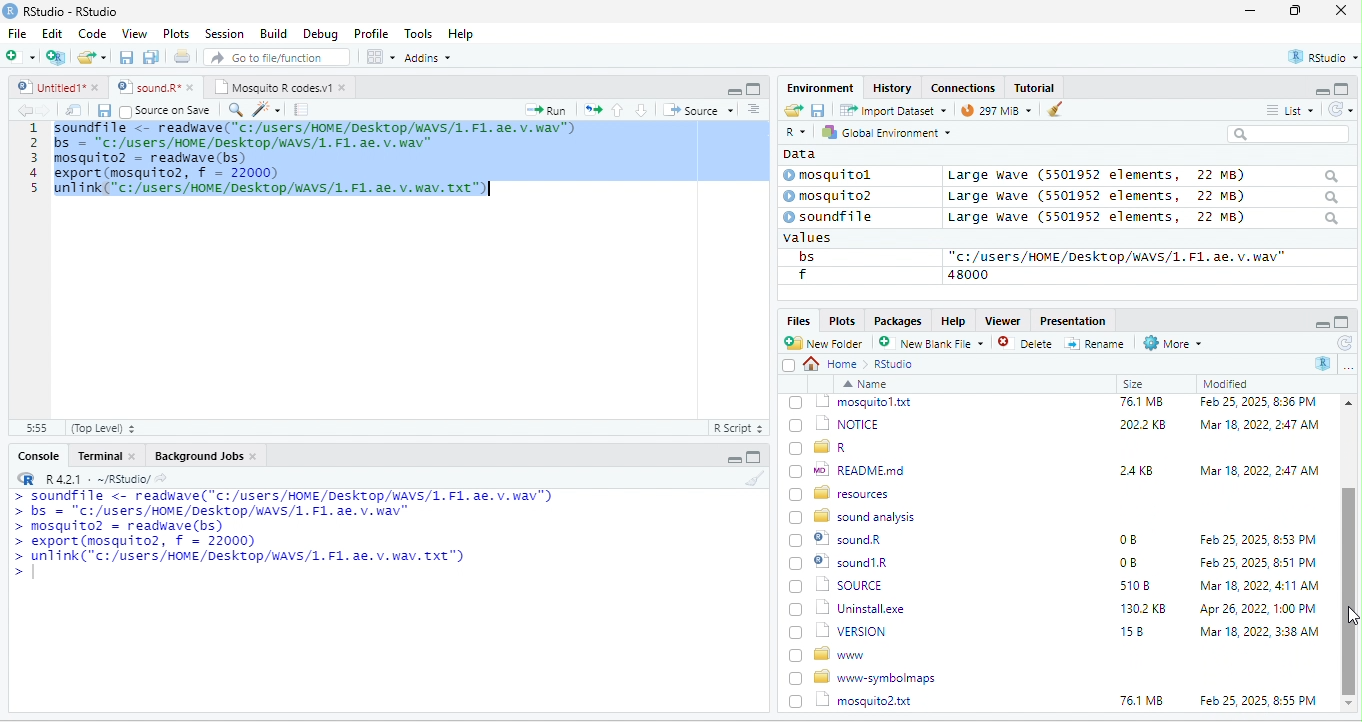 The width and height of the screenshot is (1362, 722). What do you see at coordinates (753, 88) in the screenshot?
I see `maximize` at bounding box center [753, 88].